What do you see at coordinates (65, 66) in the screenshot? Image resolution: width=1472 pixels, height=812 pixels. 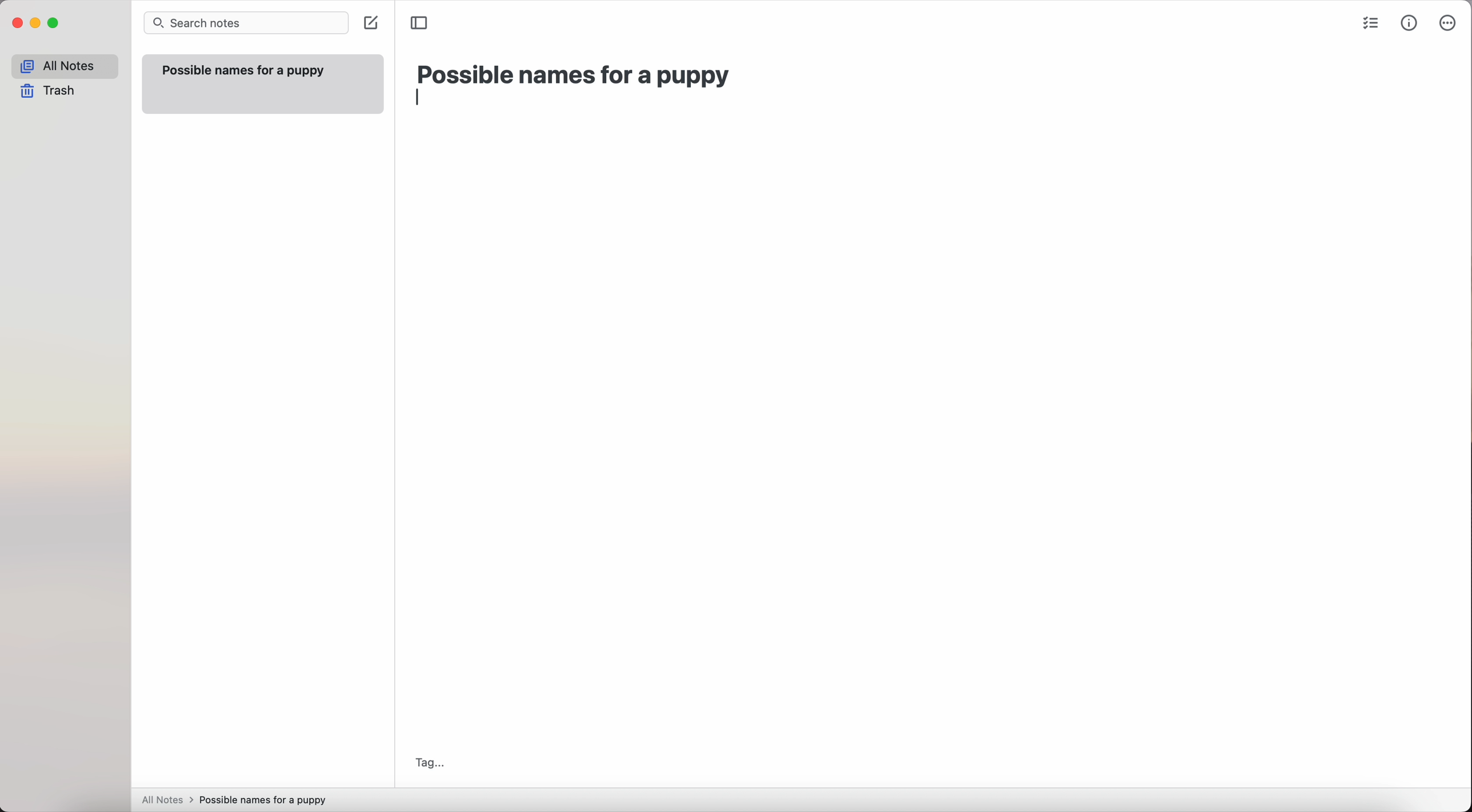 I see `all notes` at bounding box center [65, 66].